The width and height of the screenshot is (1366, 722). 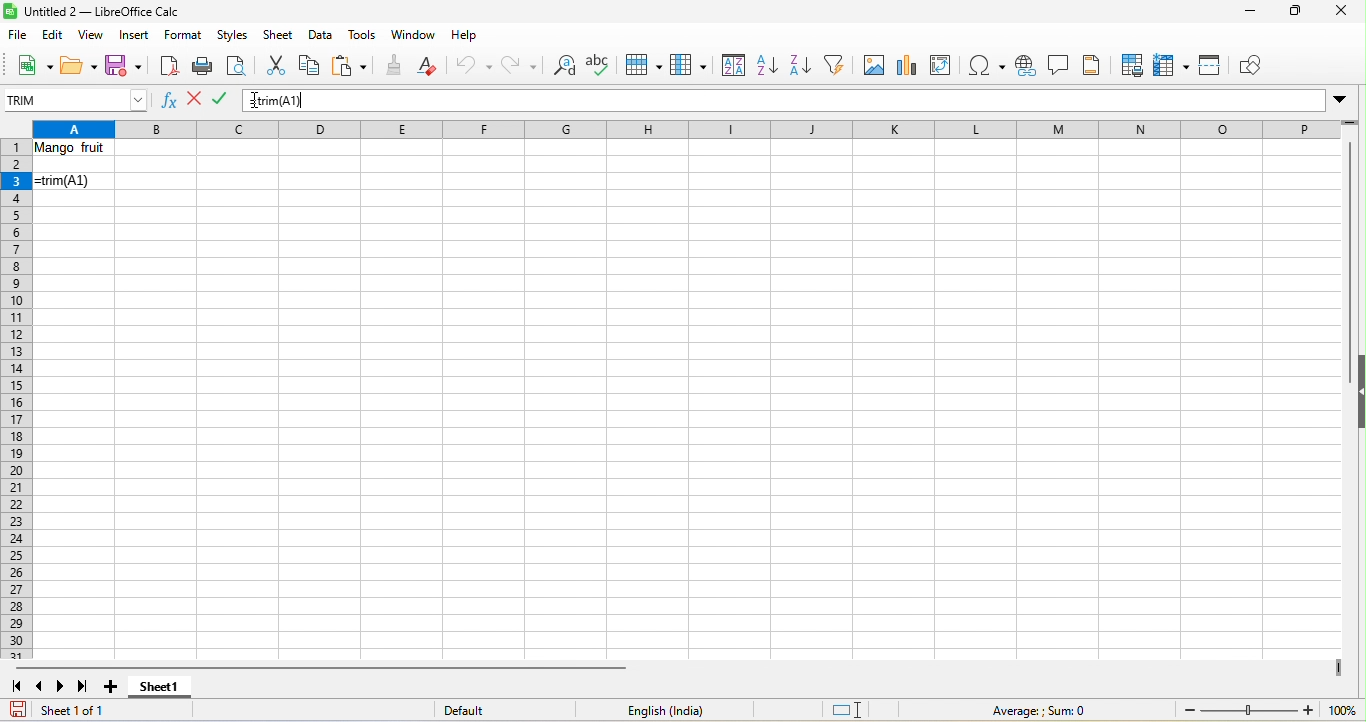 What do you see at coordinates (1095, 65) in the screenshot?
I see `header and footer` at bounding box center [1095, 65].